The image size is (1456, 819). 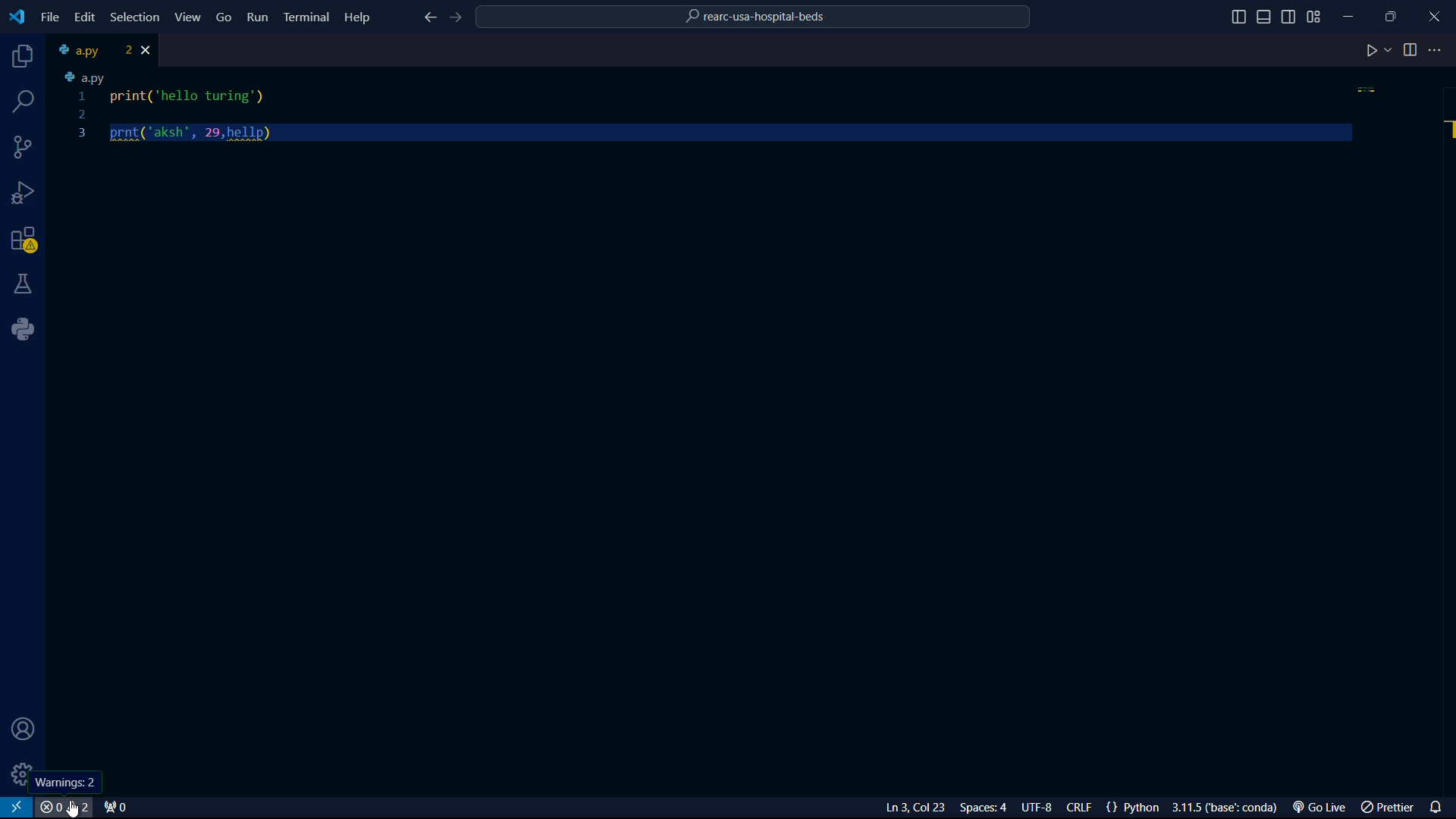 What do you see at coordinates (24, 242) in the screenshot?
I see `warning` at bounding box center [24, 242].